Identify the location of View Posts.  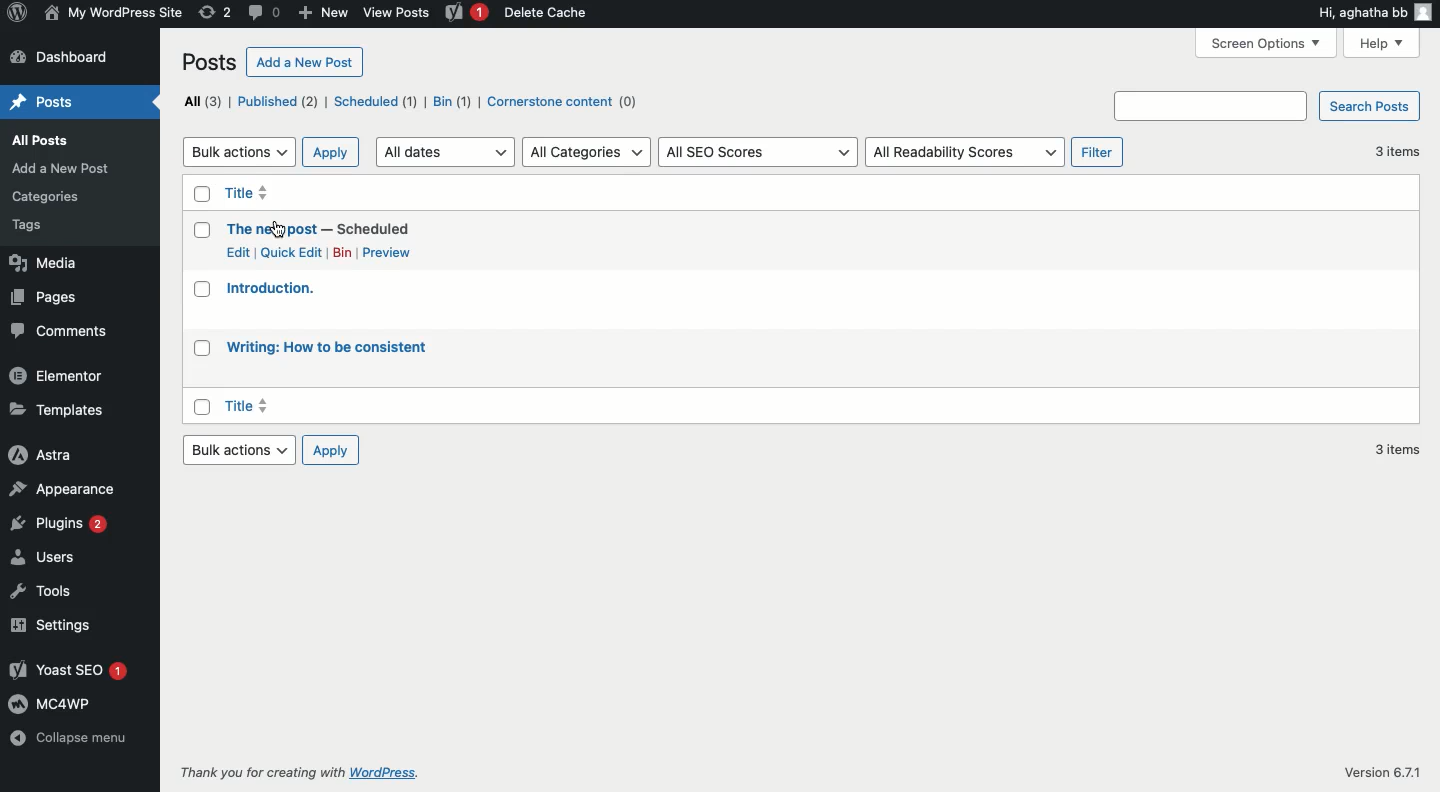
(398, 12).